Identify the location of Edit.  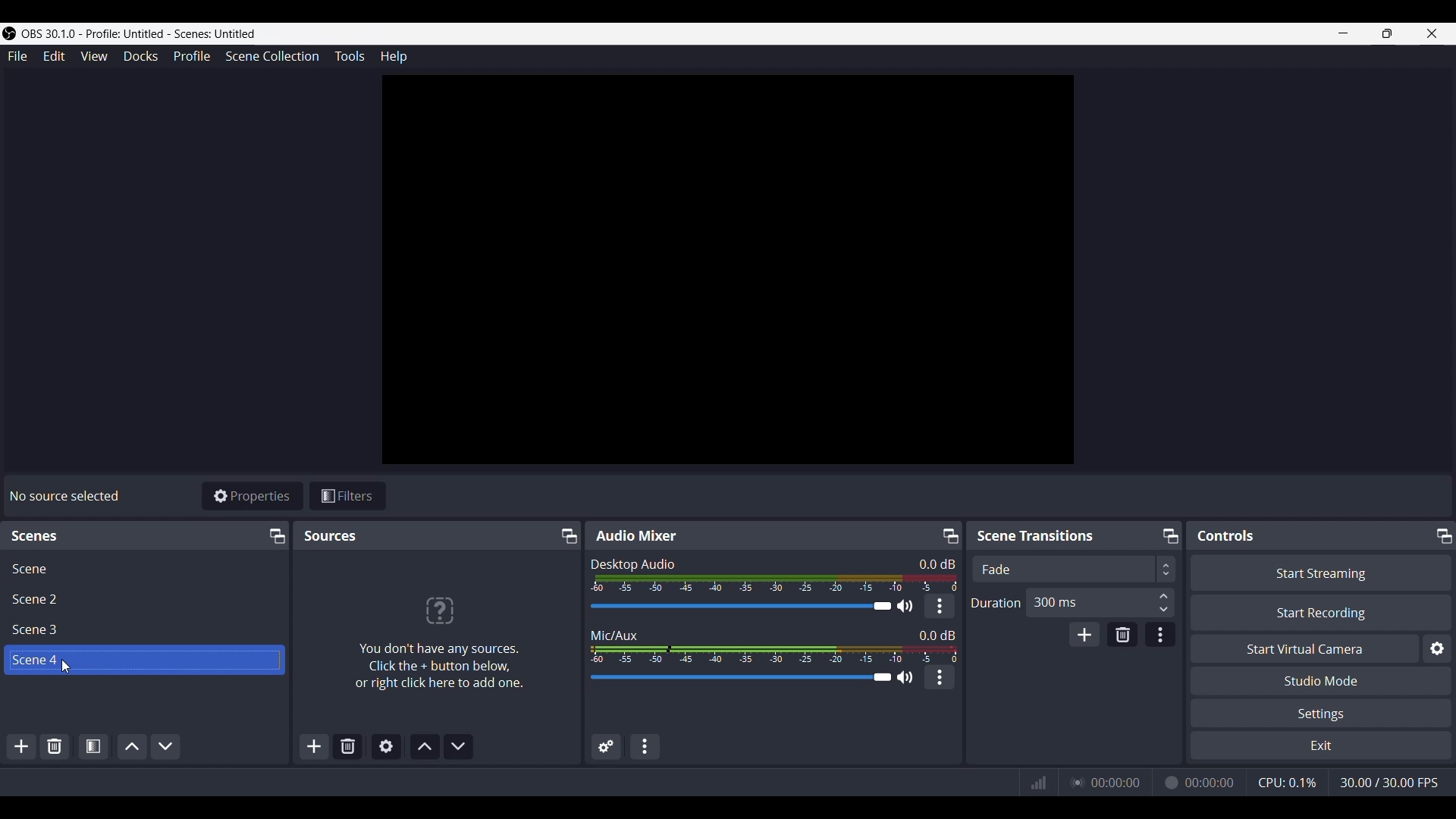
(54, 58).